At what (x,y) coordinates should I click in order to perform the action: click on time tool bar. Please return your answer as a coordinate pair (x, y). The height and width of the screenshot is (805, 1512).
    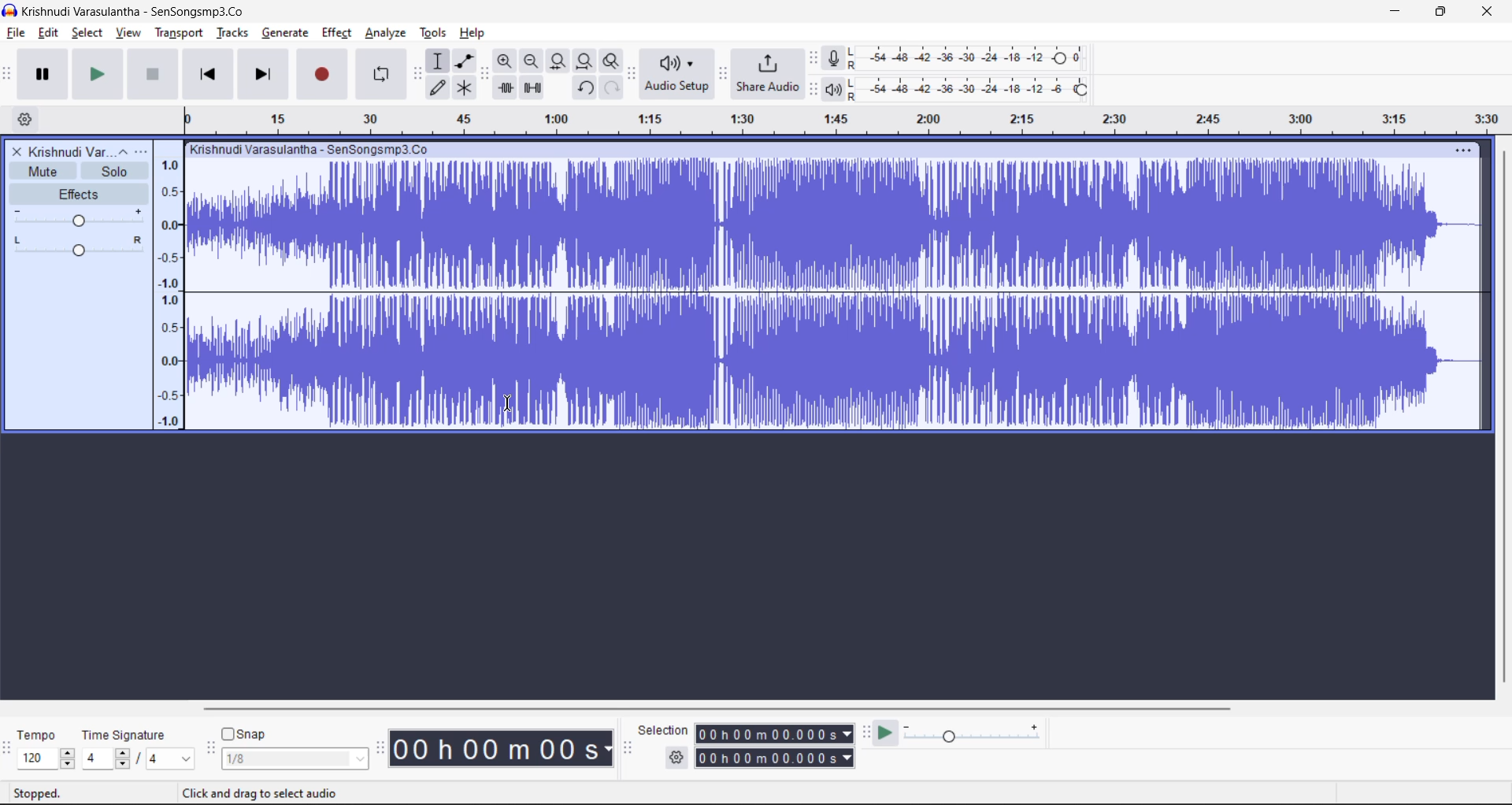
    Looking at the image, I should click on (383, 747).